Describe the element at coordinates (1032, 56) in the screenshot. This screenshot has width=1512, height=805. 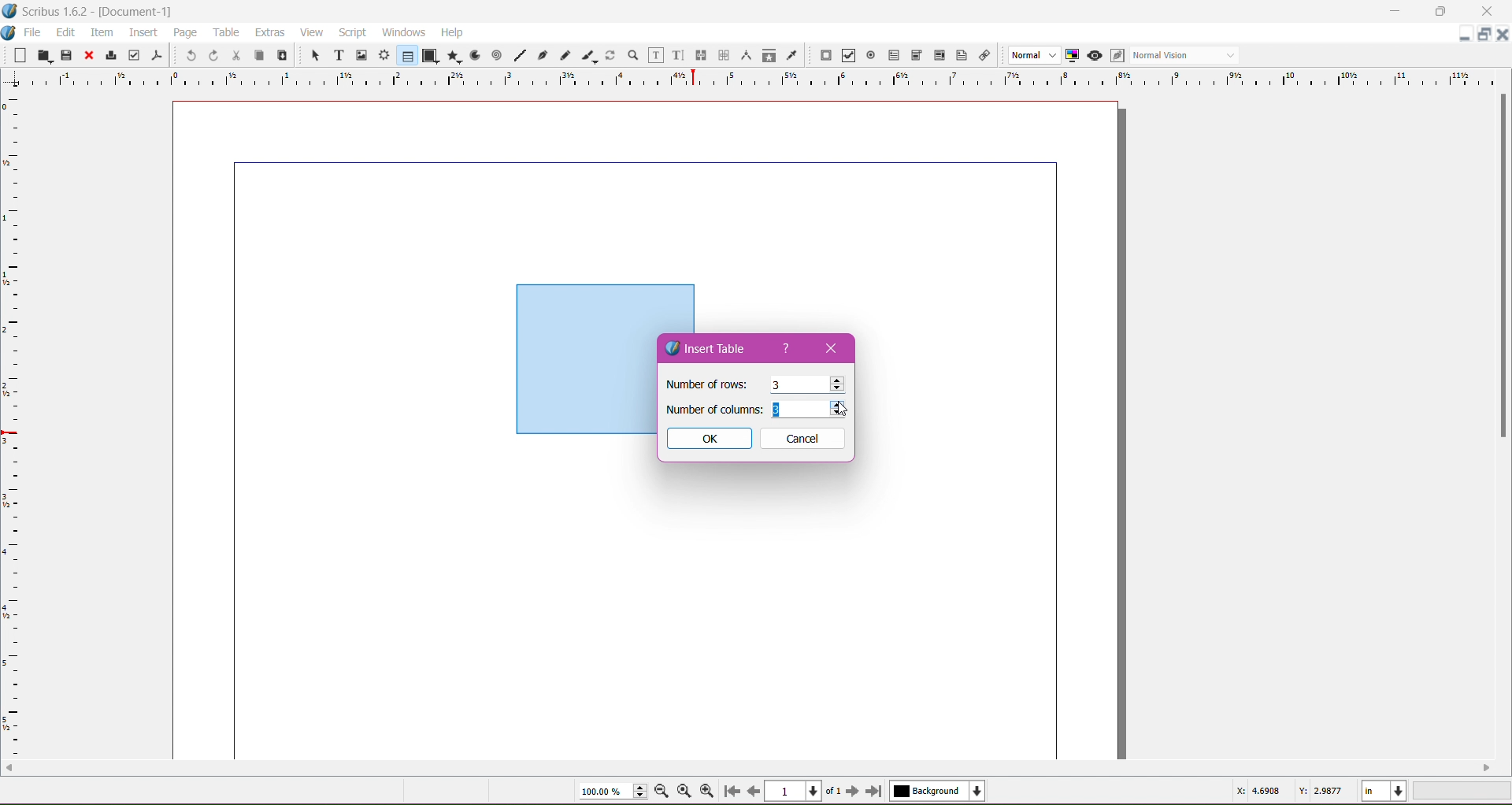
I see `Normal` at that location.